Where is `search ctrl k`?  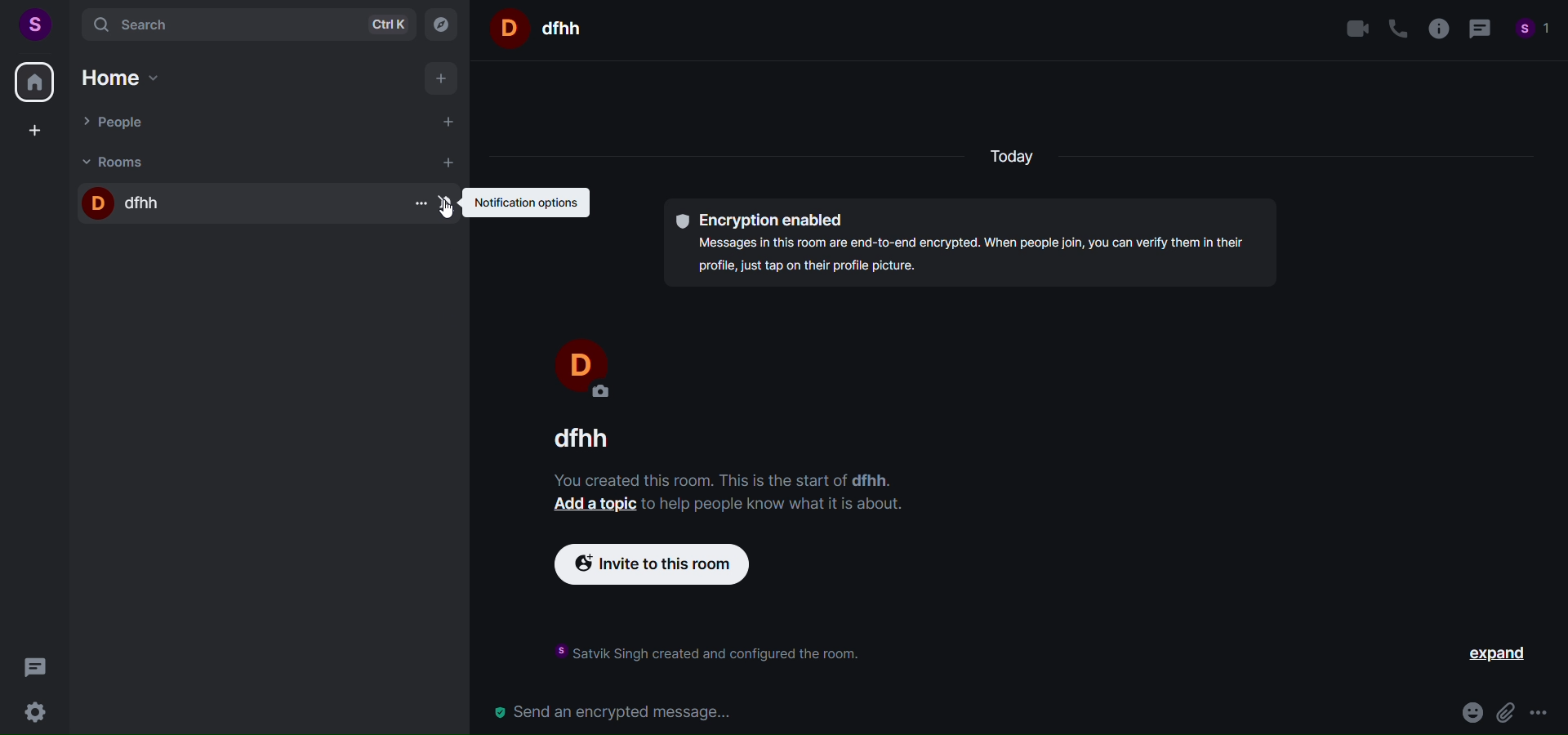 search ctrl k is located at coordinates (247, 24).